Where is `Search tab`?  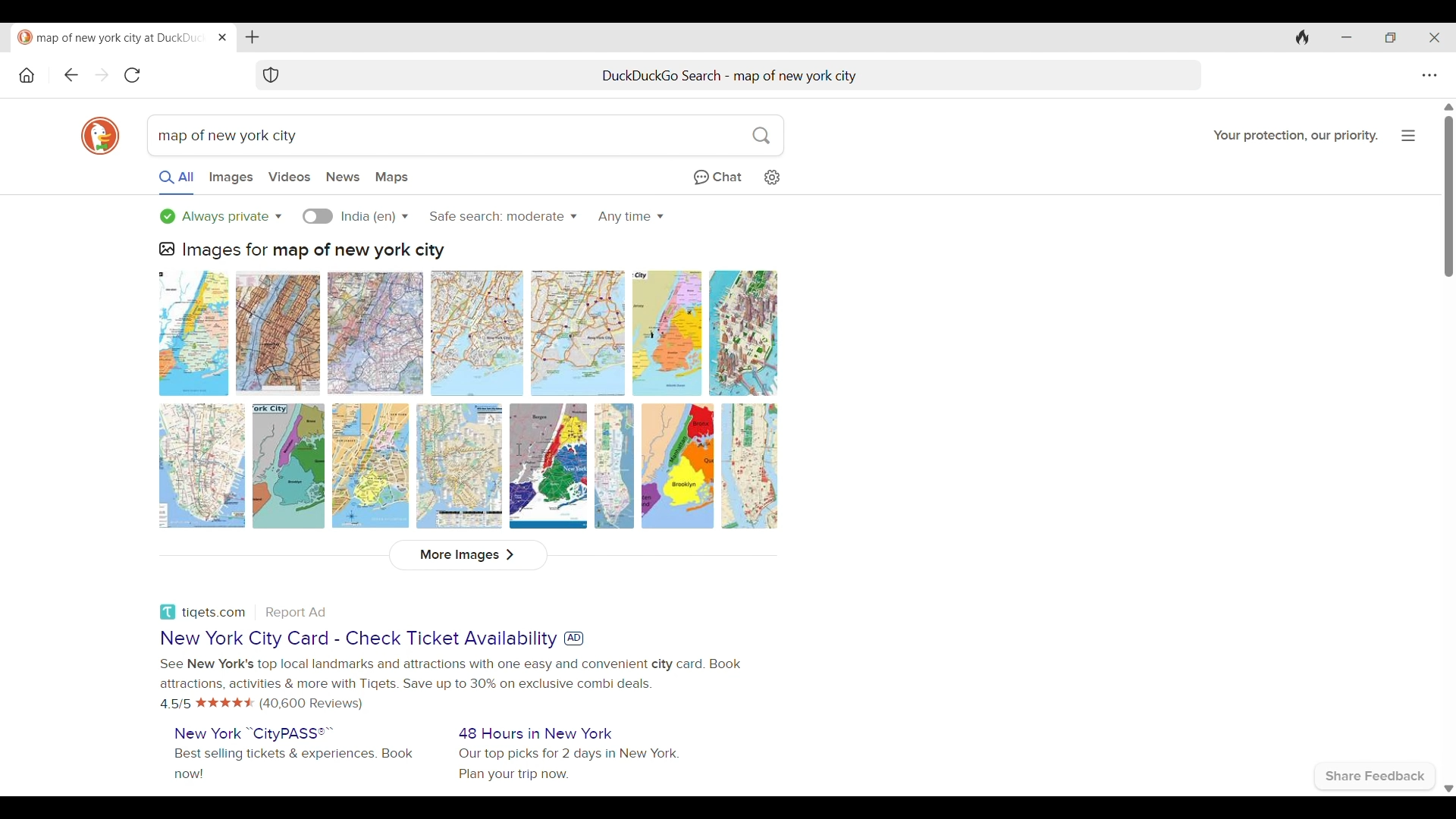
Search tab is located at coordinates (442, 75).